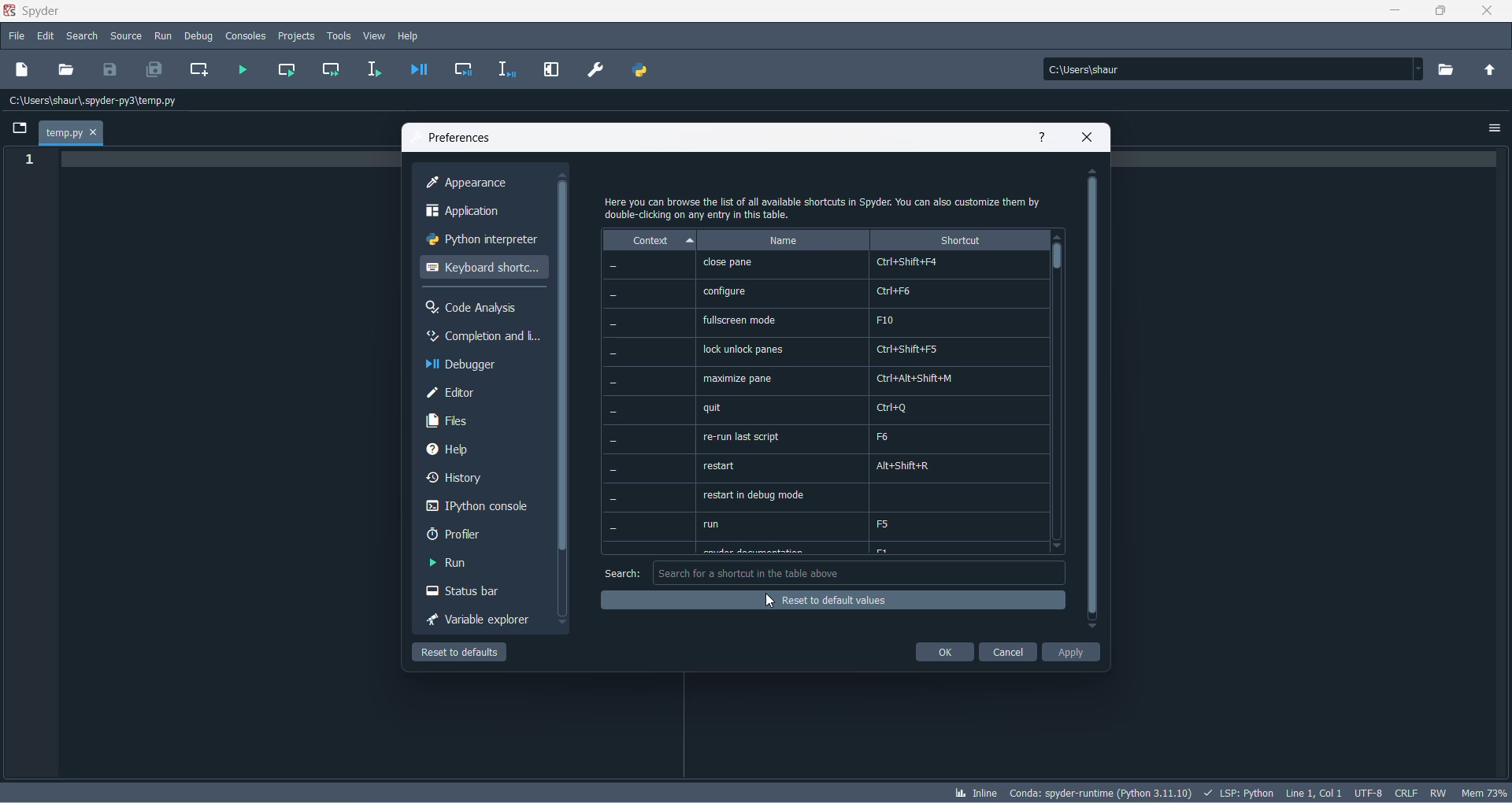 The width and height of the screenshot is (1512, 803). I want to click on application, so click(480, 213).